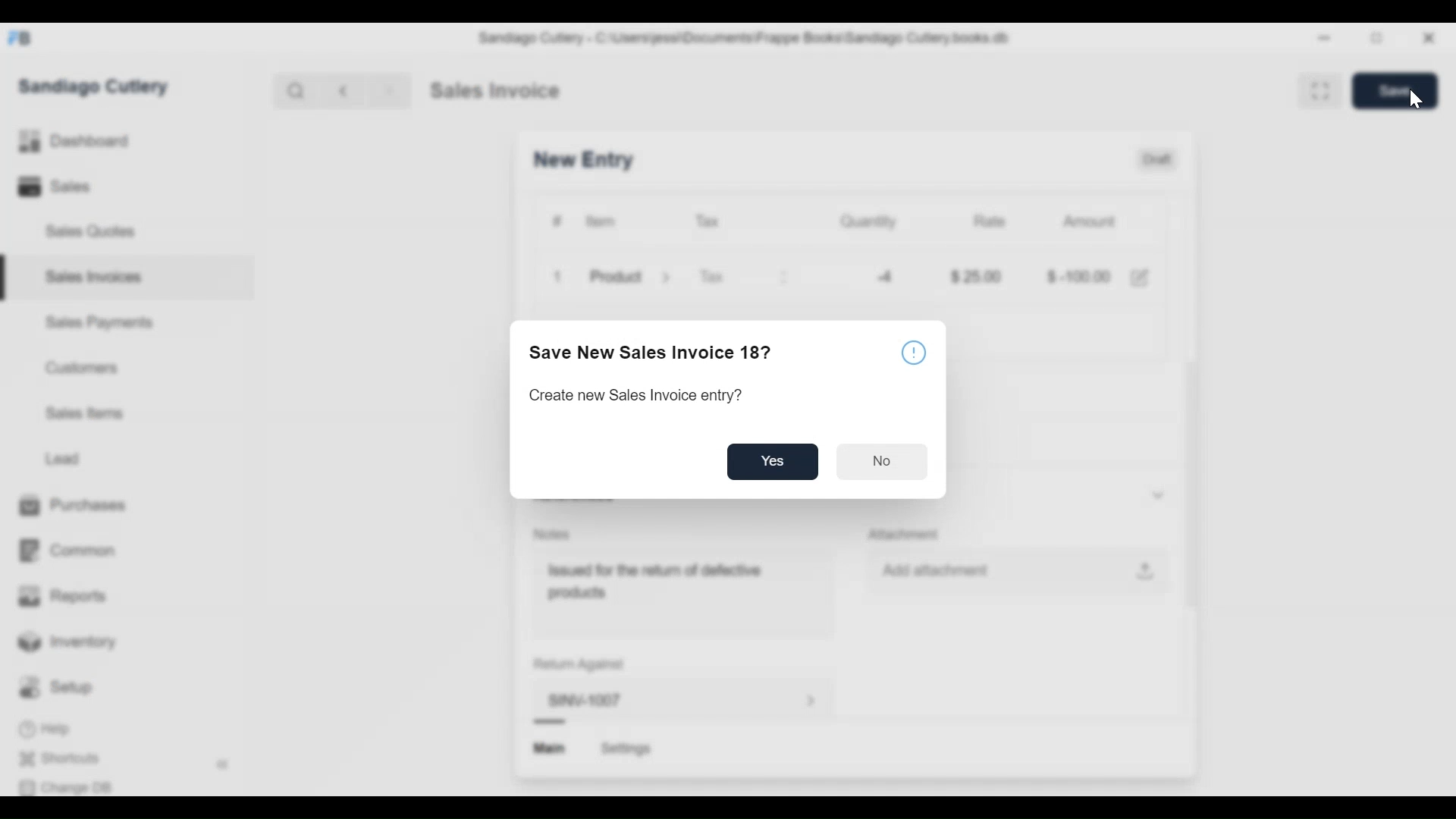 This screenshot has width=1456, height=819. I want to click on Cursor, so click(1414, 100).